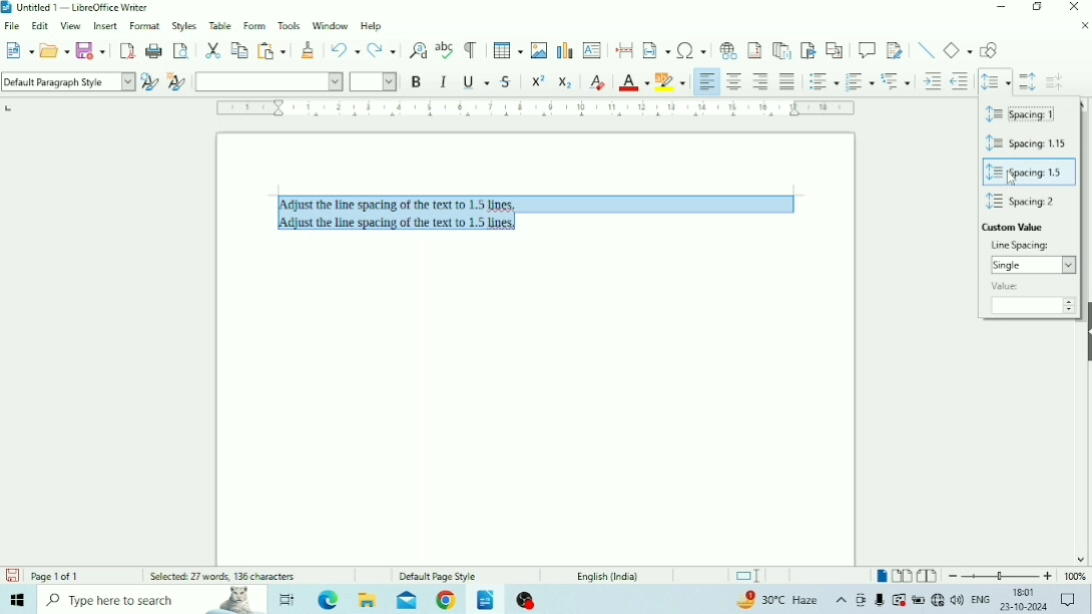 The height and width of the screenshot is (614, 1092). I want to click on Show Track Changes Functions, so click(895, 48).